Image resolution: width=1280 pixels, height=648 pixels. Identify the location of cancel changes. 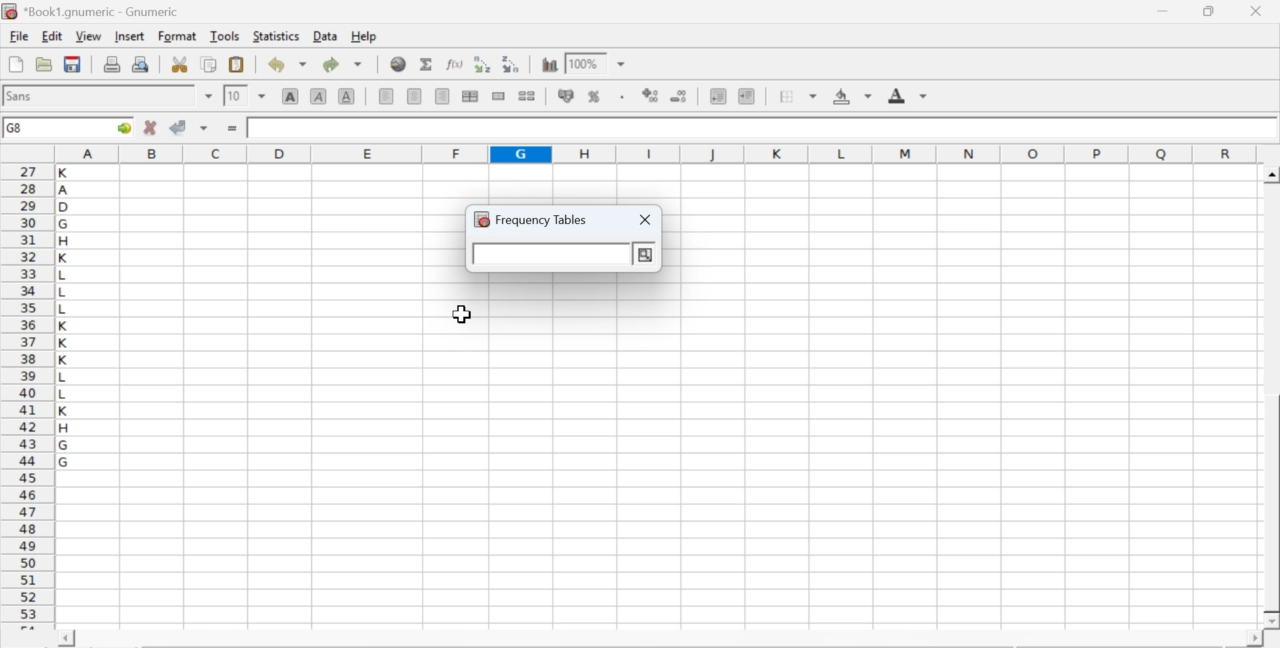
(151, 127).